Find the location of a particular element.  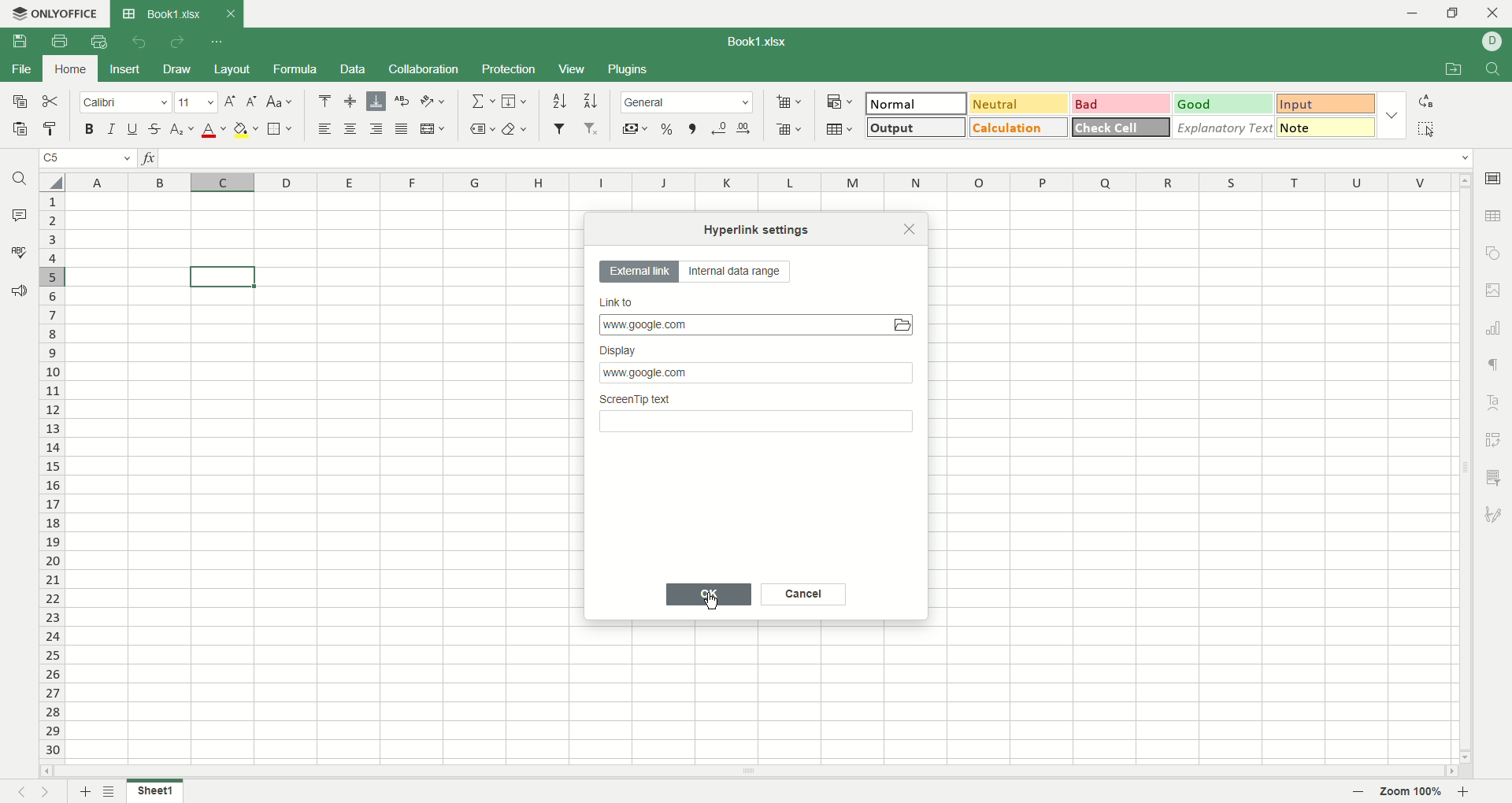

link is located at coordinates (755, 324).